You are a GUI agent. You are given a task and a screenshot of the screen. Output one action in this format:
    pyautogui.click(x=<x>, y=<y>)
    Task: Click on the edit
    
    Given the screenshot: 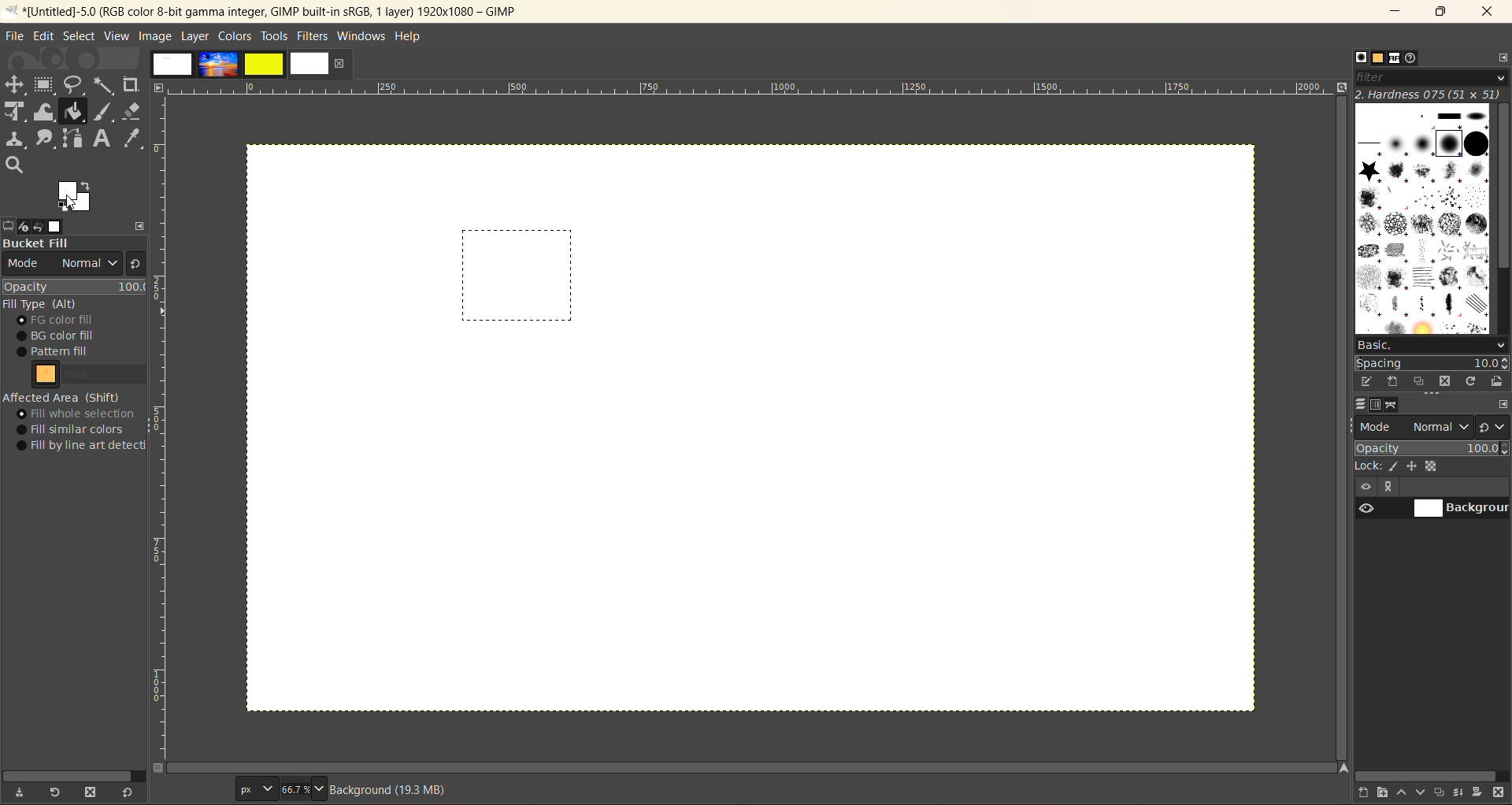 What is the action you would take?
    pyautogui.click(x=46, y=37)
    